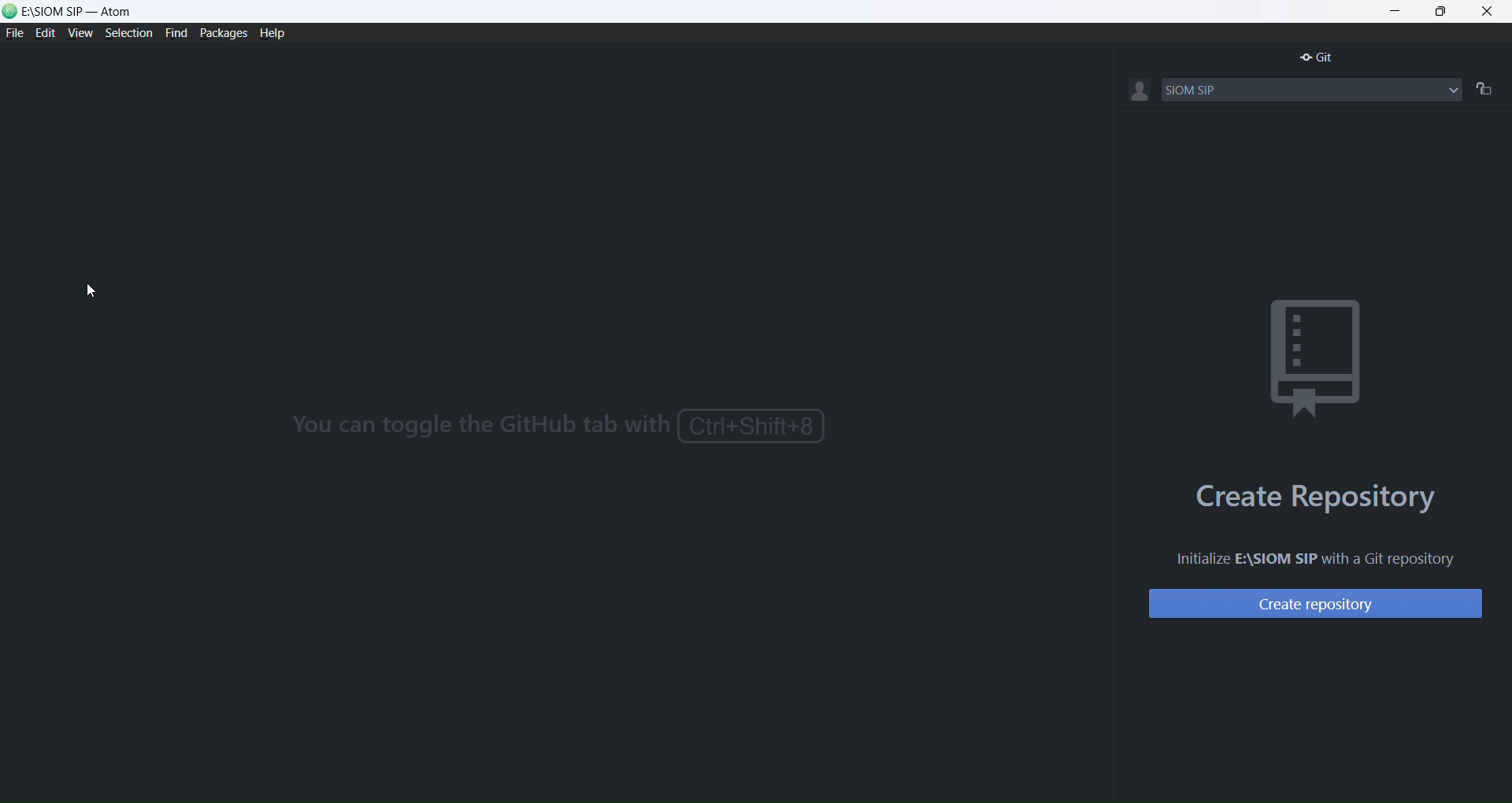 This screenshot has height=803, width=1512. What do you see at coordinates (1487, 88) in the screenshot?
I see `follow the active pane item` at bounding box center [1487, 88].